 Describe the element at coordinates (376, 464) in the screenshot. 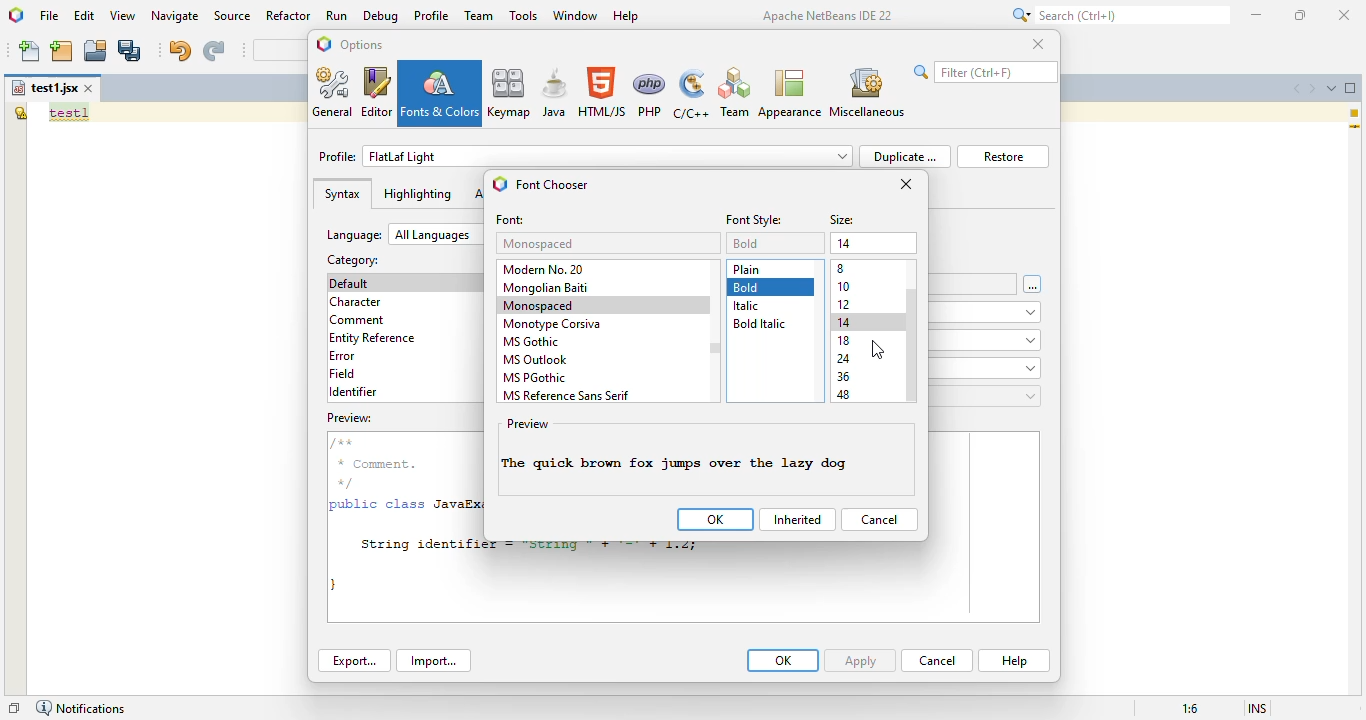

I see `* Comment.` at that location.